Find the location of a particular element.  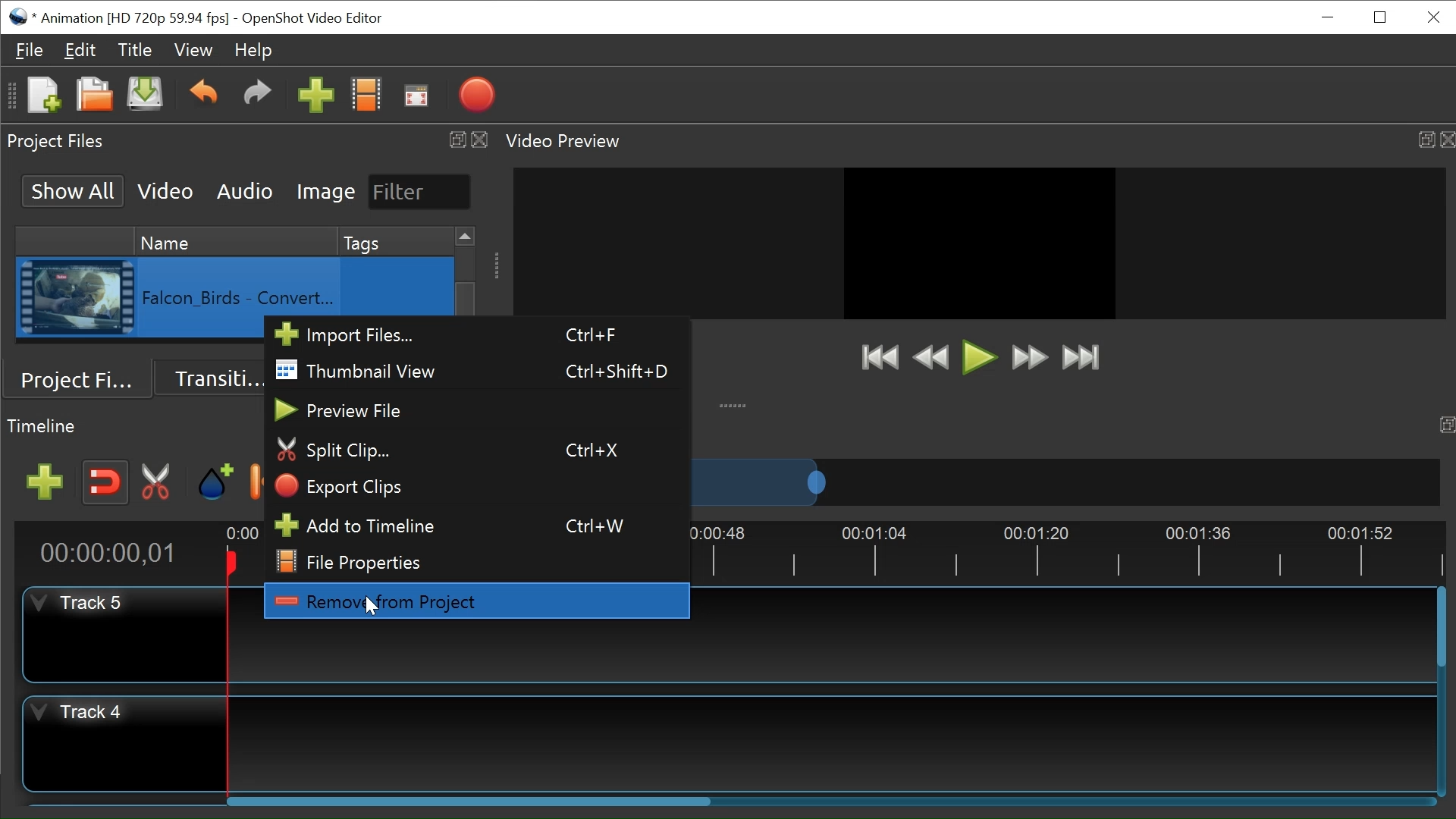

Project Name is located at coordinates (134, 19).